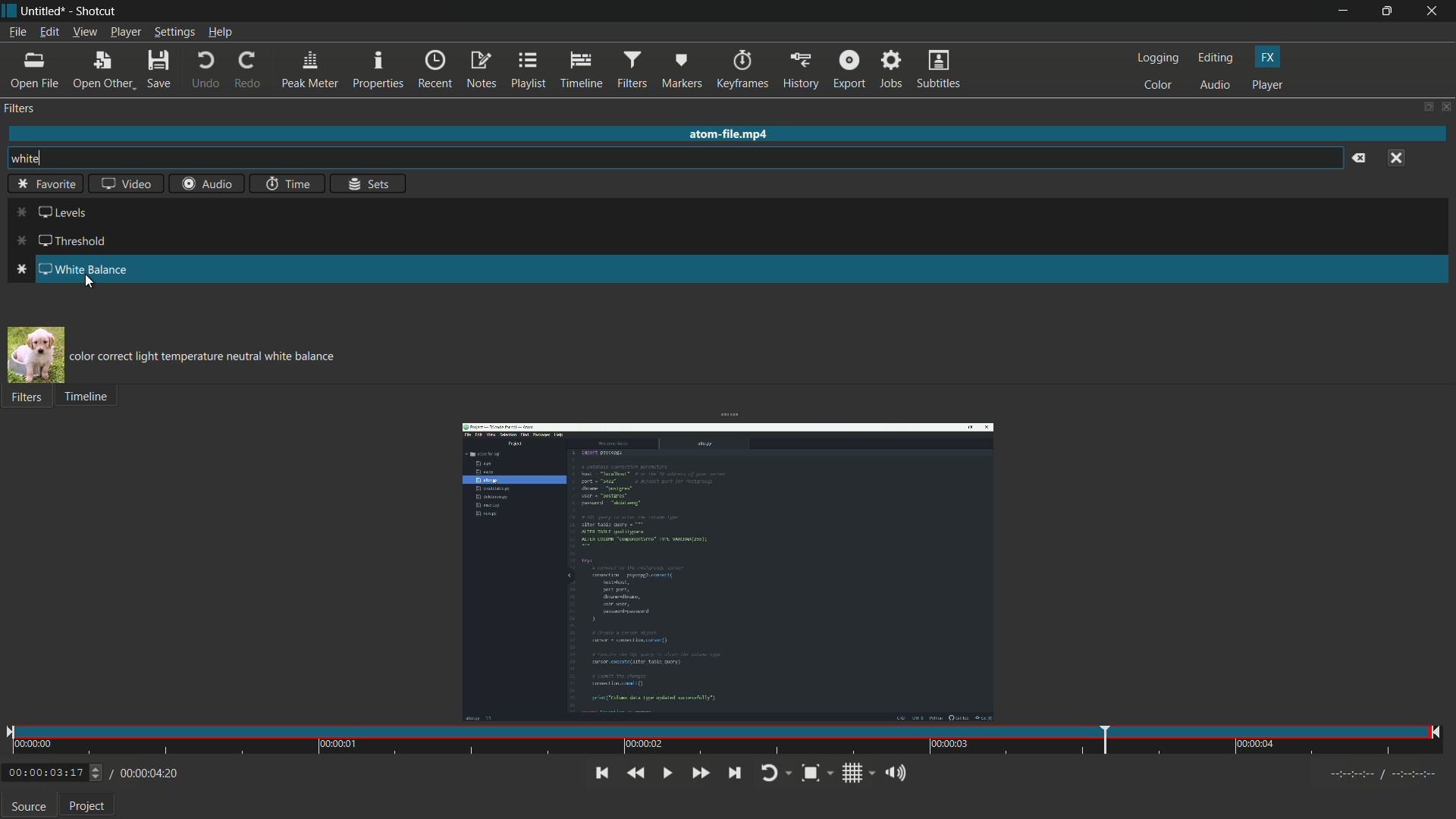 This screenshot has width=1456, height=819. I want to click on change layout, so click(1427, 108).